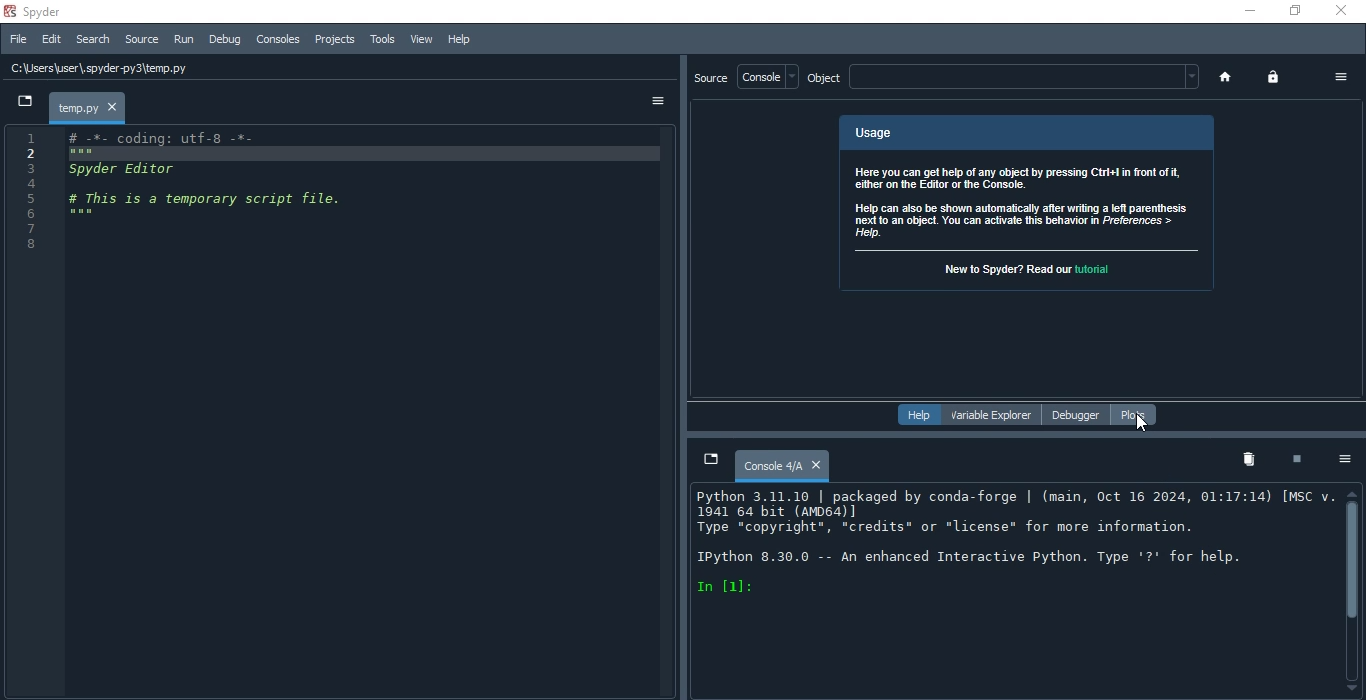  What do you see at coordinates (1349, 592) in the screenshot?
I see `scroll bar` at bounding box center [1349, 592].